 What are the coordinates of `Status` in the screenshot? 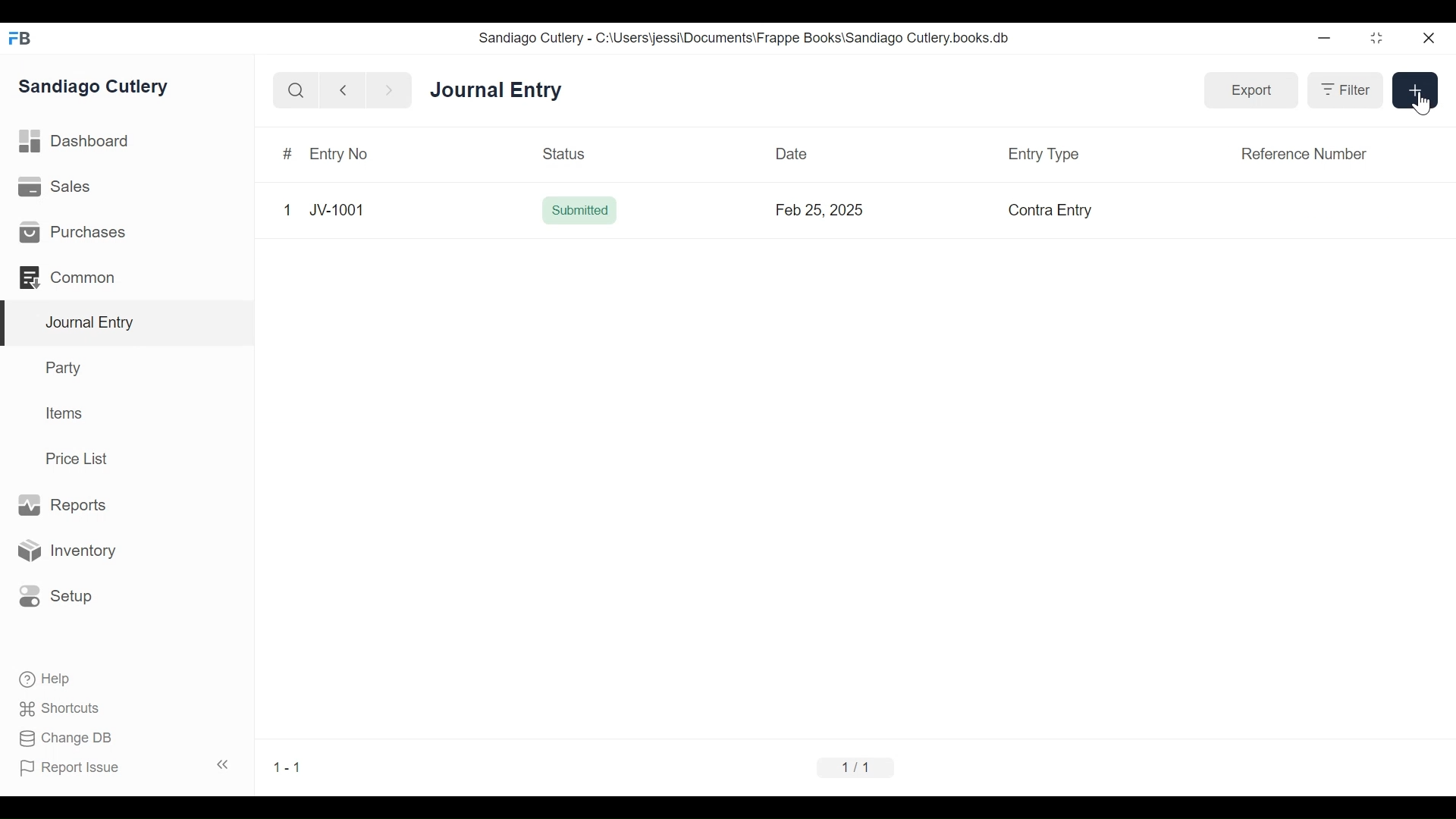 It's located at (565, 154).